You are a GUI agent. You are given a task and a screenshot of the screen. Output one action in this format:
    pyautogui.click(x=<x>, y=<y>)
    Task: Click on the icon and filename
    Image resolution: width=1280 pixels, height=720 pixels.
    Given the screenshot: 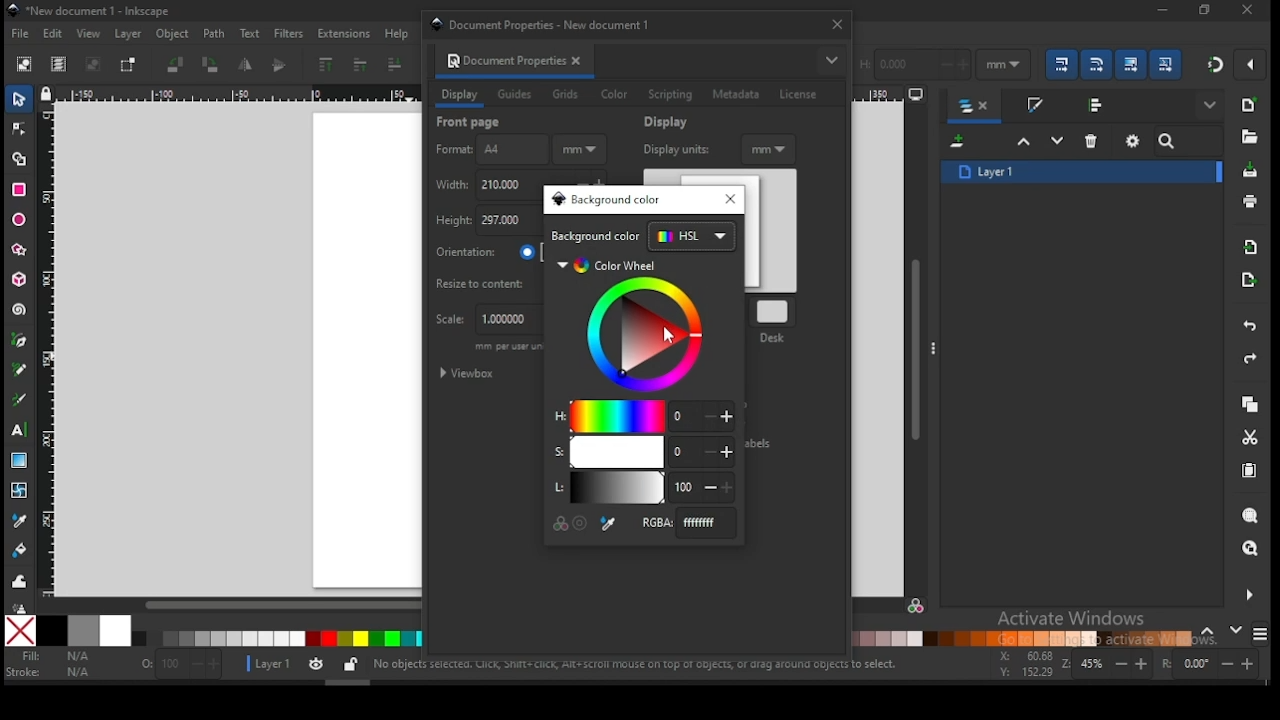 What is the action you would take?
    pyautogui.click(x=90, y=11)
    